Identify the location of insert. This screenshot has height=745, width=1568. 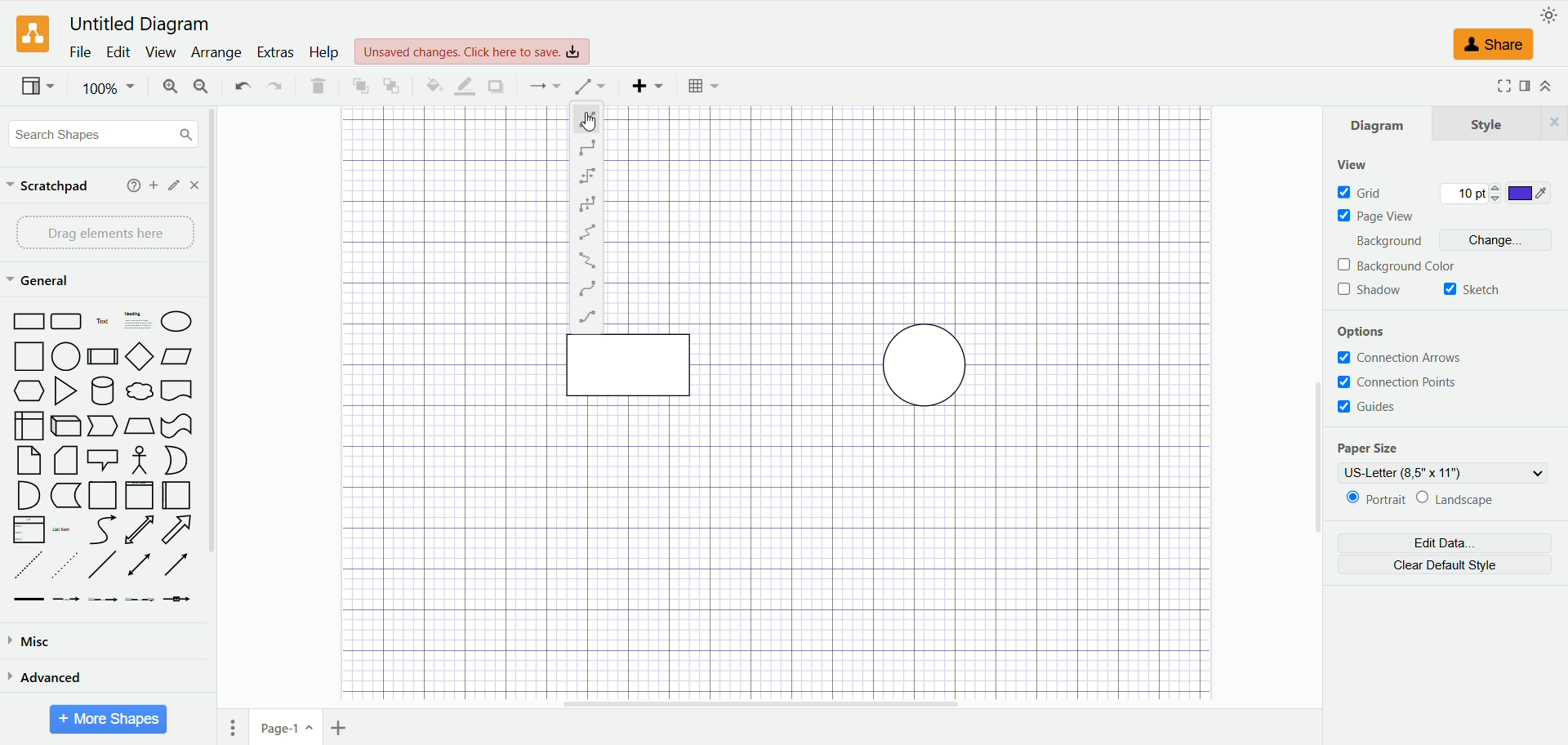
(648, 87).